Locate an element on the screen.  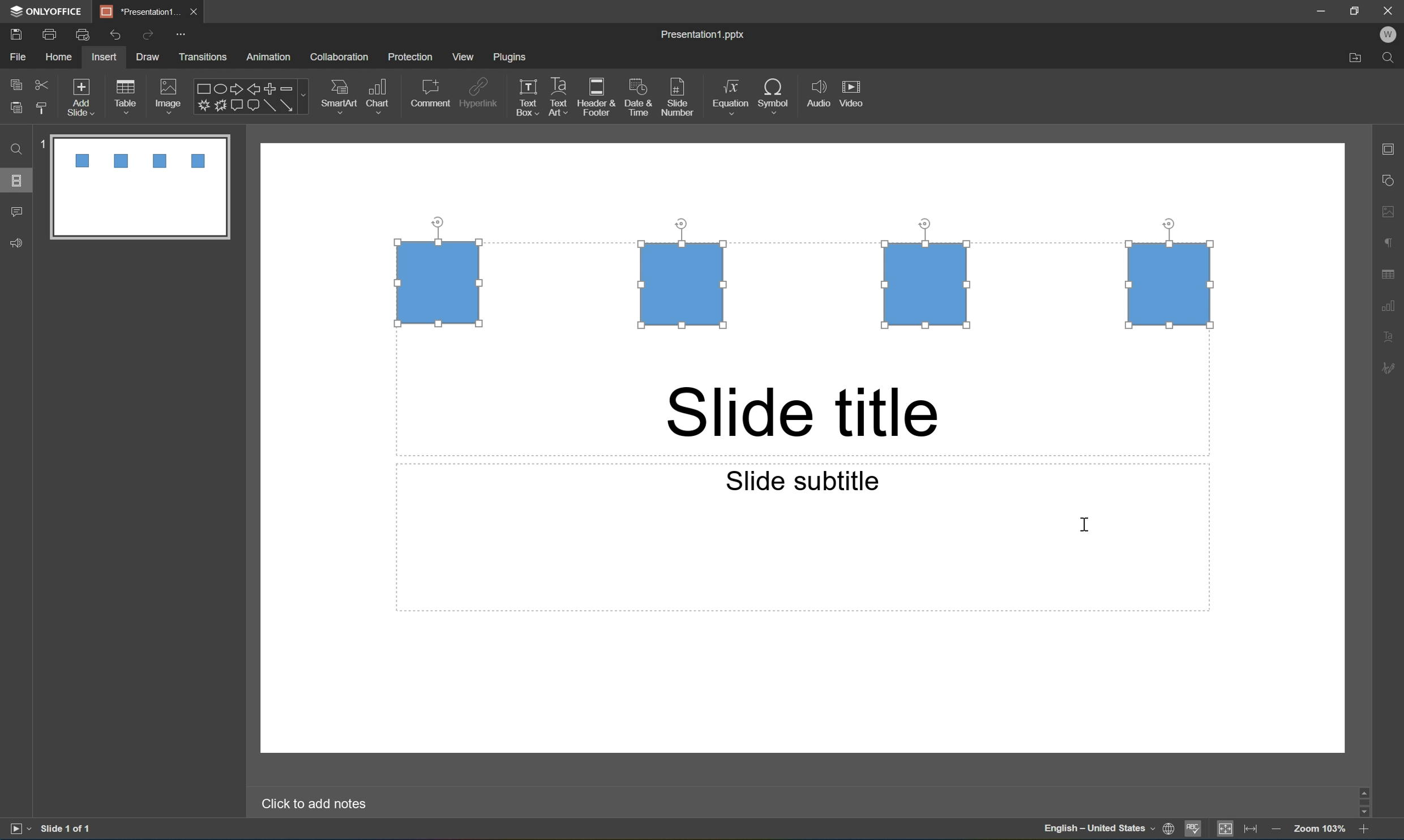
add slide is located at coordinates (83, 95).